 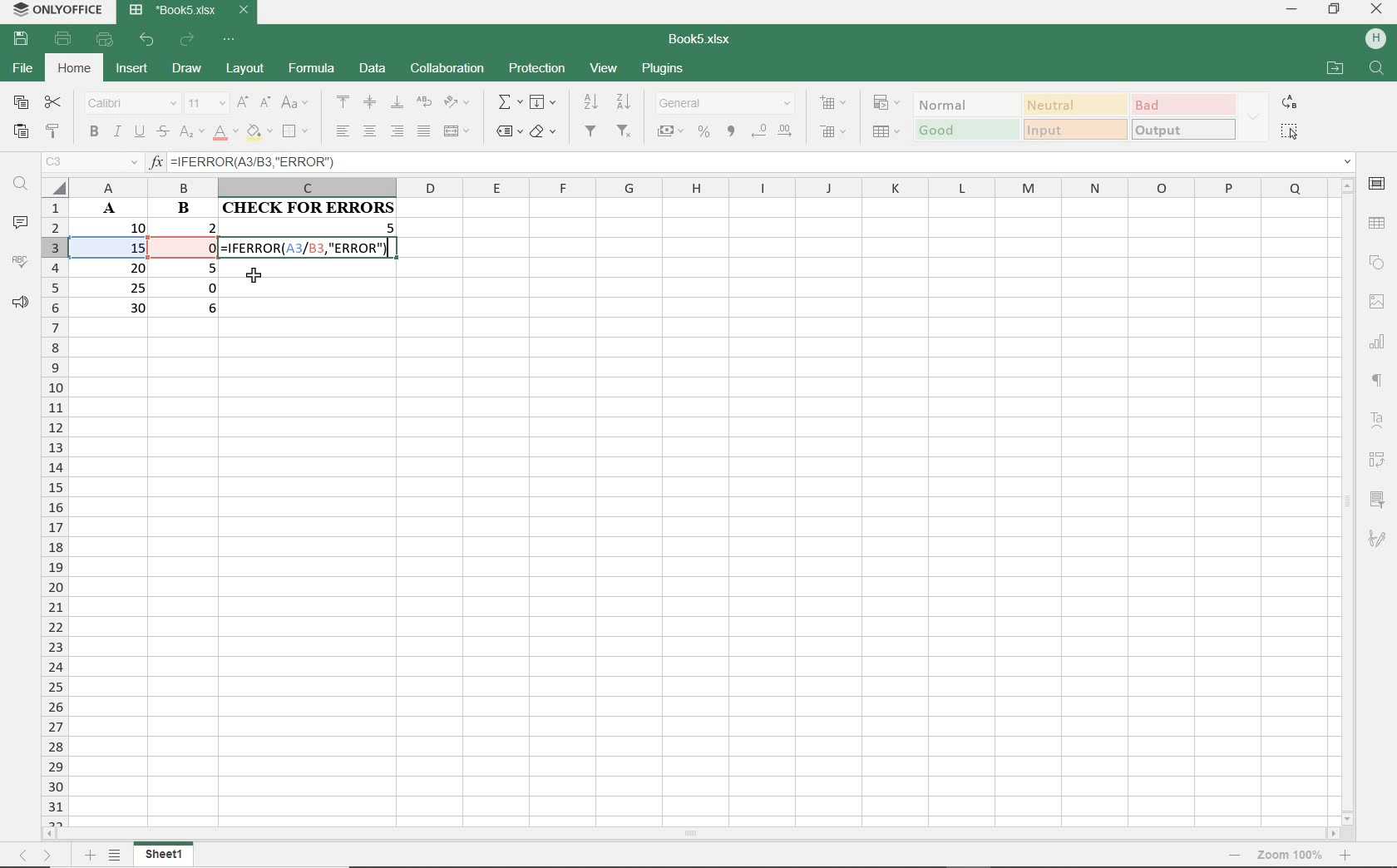 I want to click on ROWS, so click(x=56, y=510).